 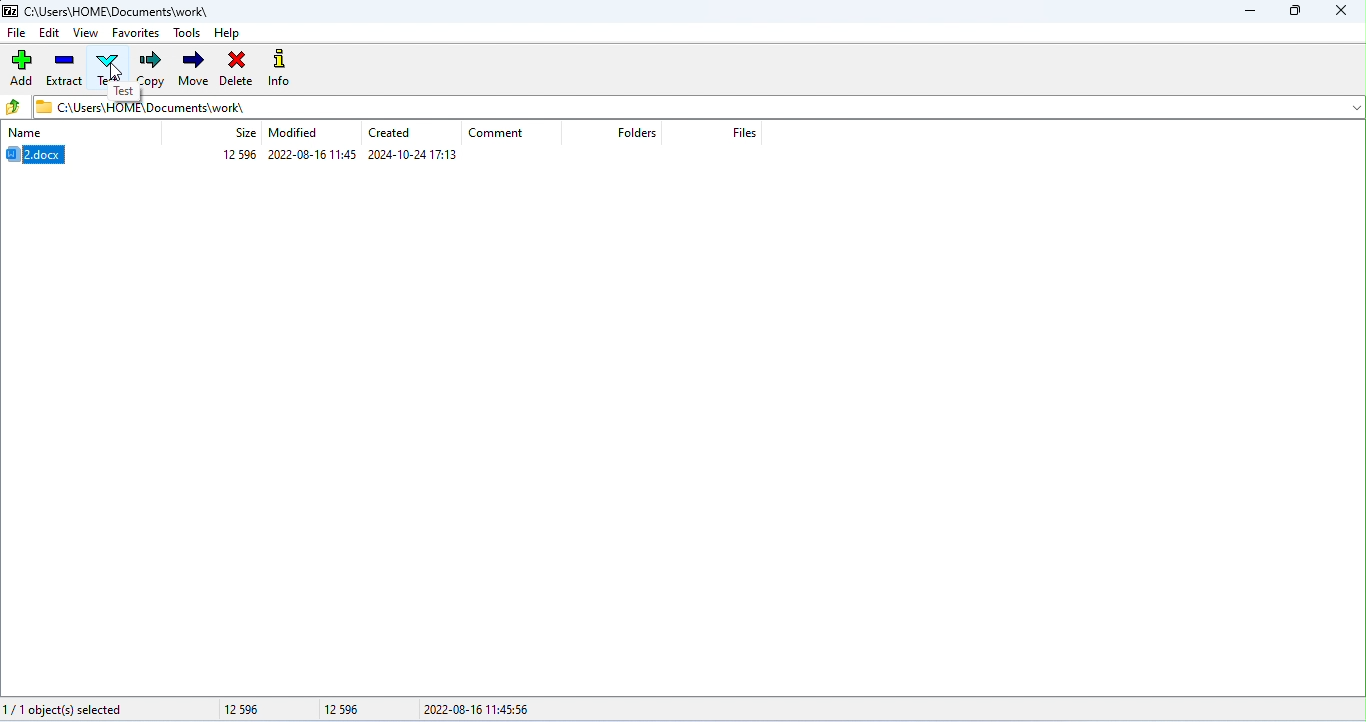 What do you see at coordinates (240, 154) in the screenshot?
I see `12596` at bounding box center [240, 154].